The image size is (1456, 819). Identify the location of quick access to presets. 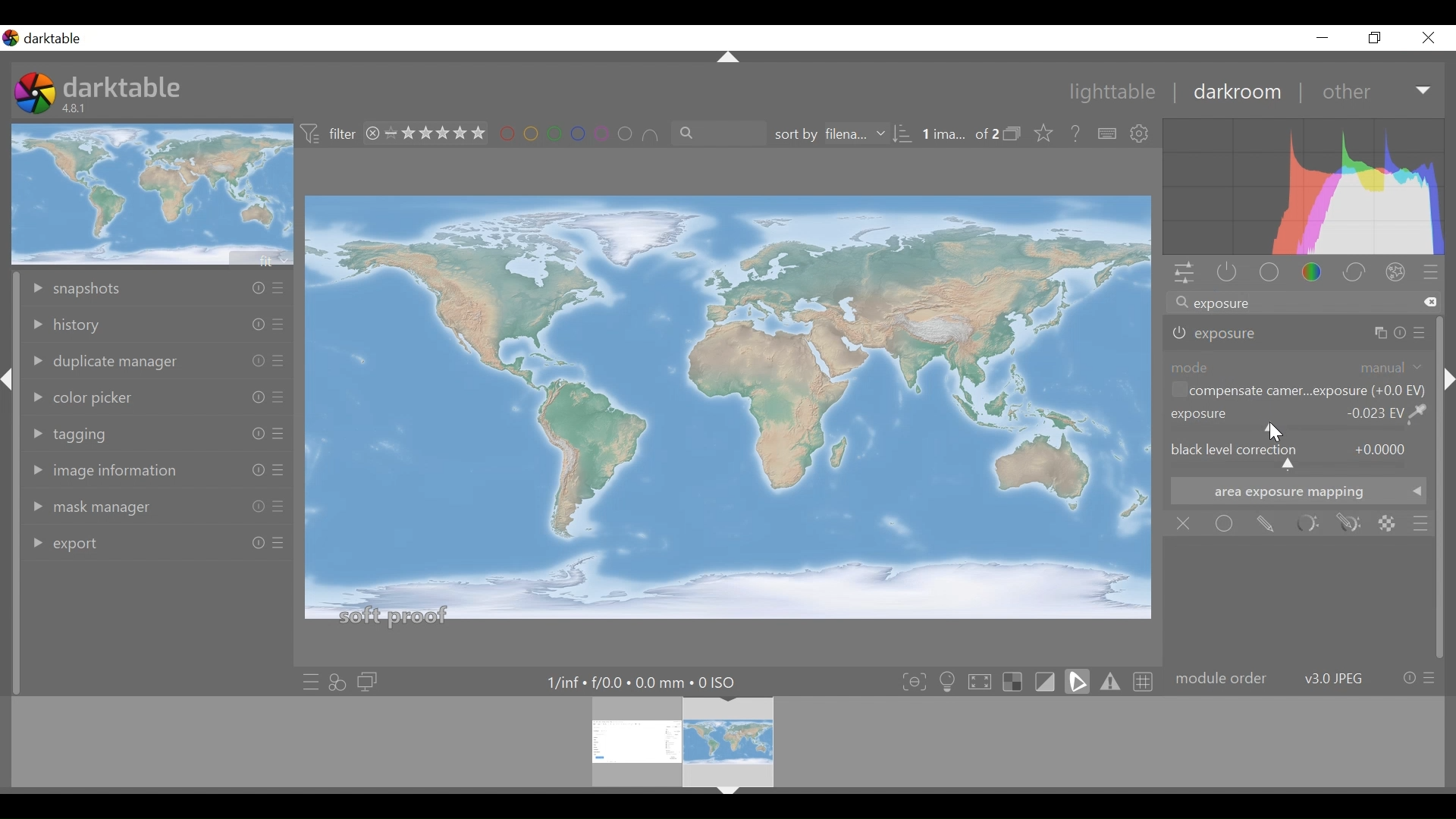
(310, 682).